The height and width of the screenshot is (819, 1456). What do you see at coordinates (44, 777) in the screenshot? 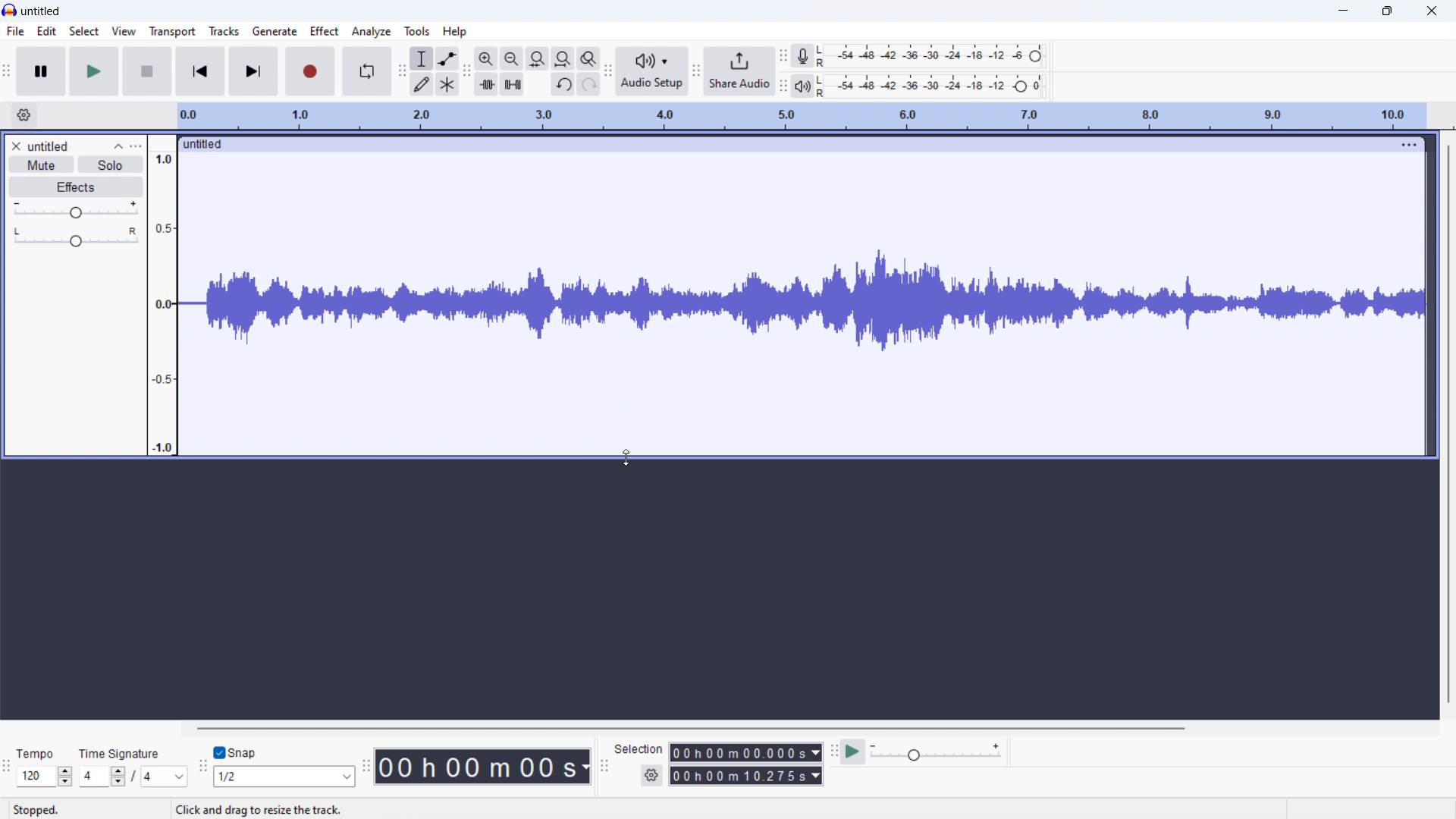
I see `set tempo` at bounding box center [44, 777].